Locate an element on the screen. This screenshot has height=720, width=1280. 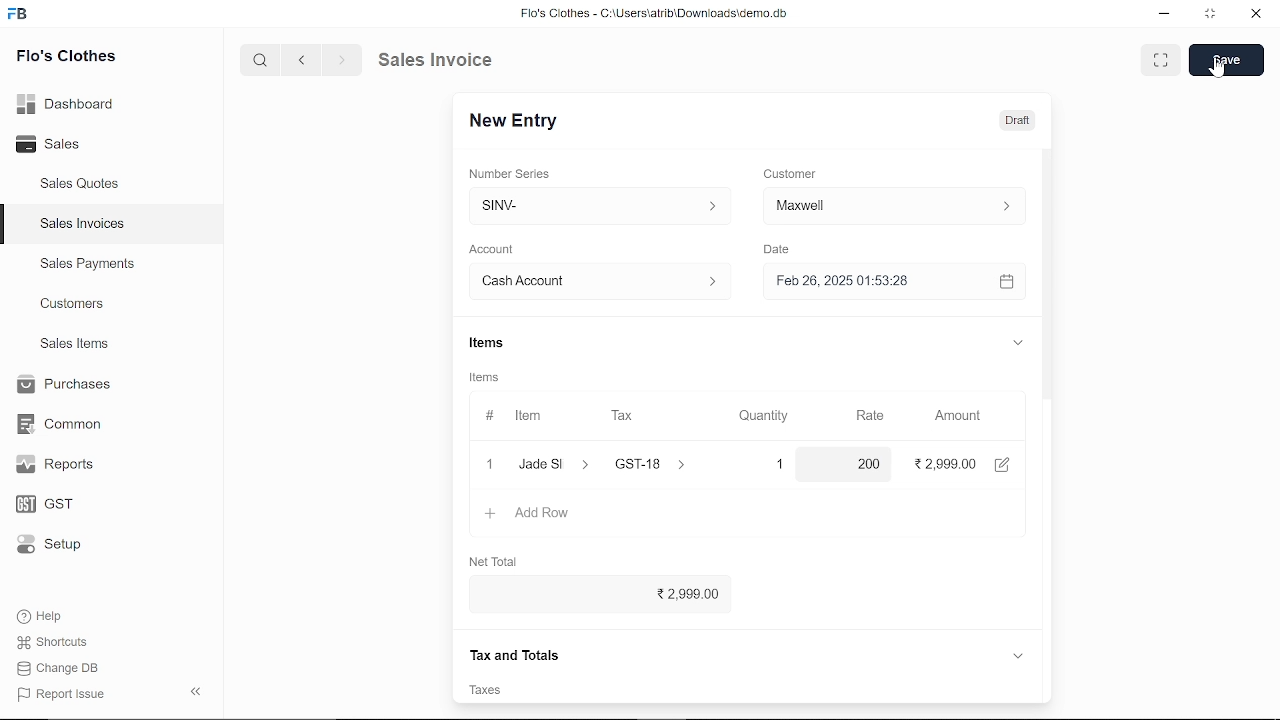
Purchases is located at coordinates (62, 385).